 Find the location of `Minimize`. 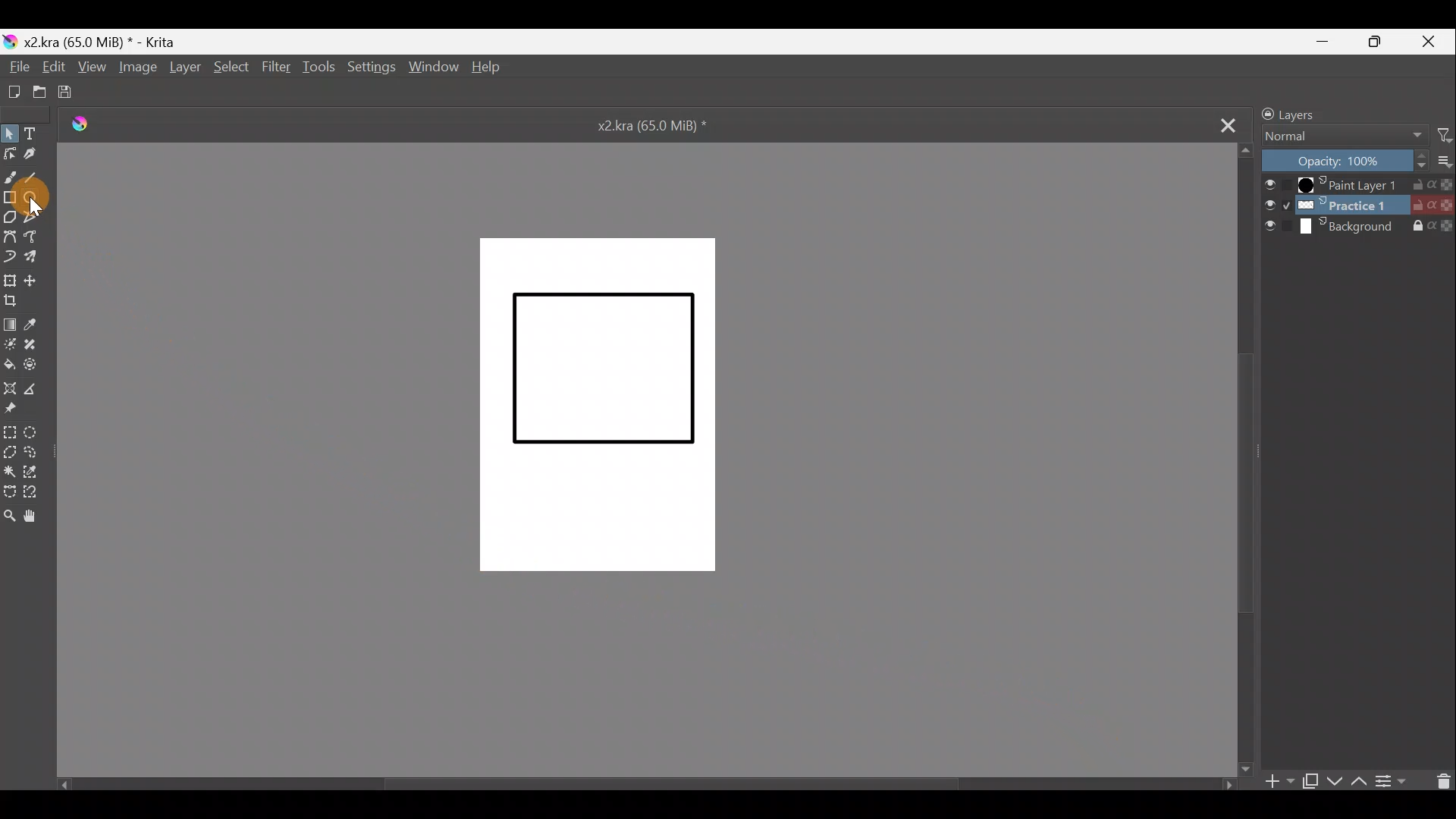

Minimize is located at coordinates (1332, 42).